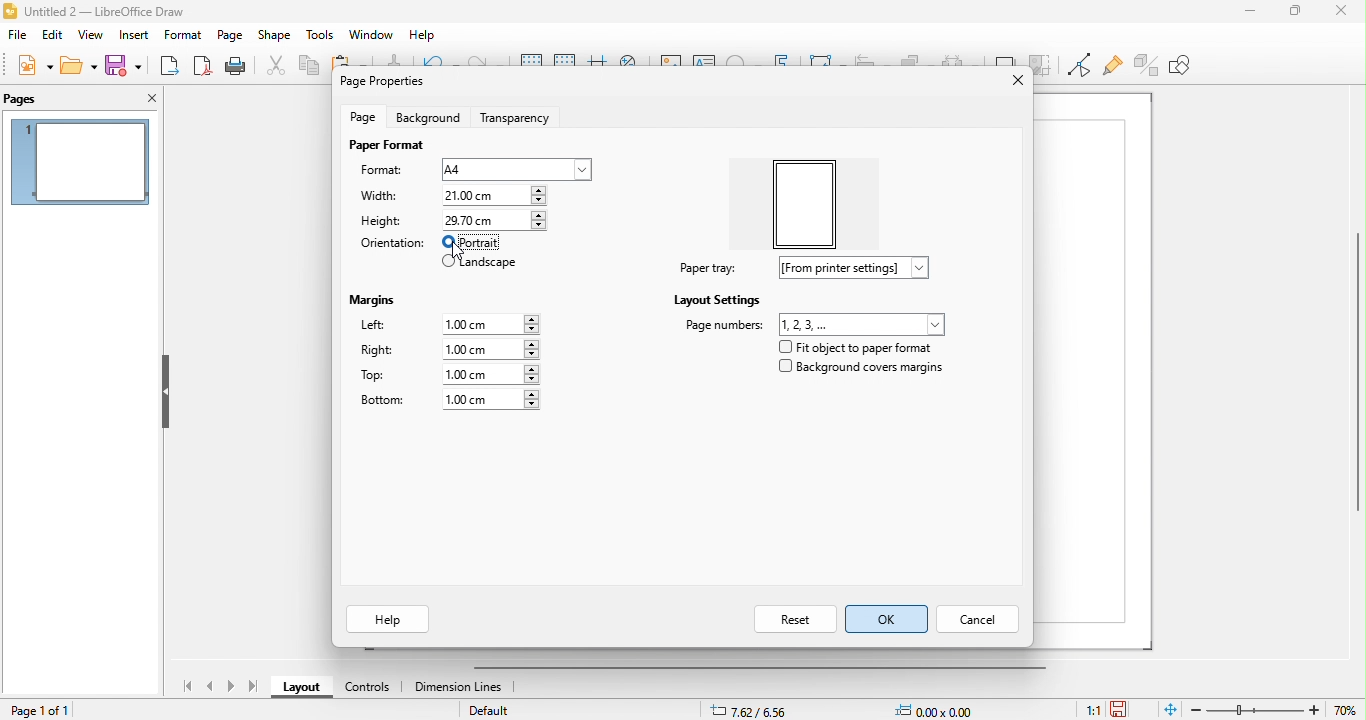  Describe the element at coordinates (391, 245) in the screenshot. I see `orientation` at that location.